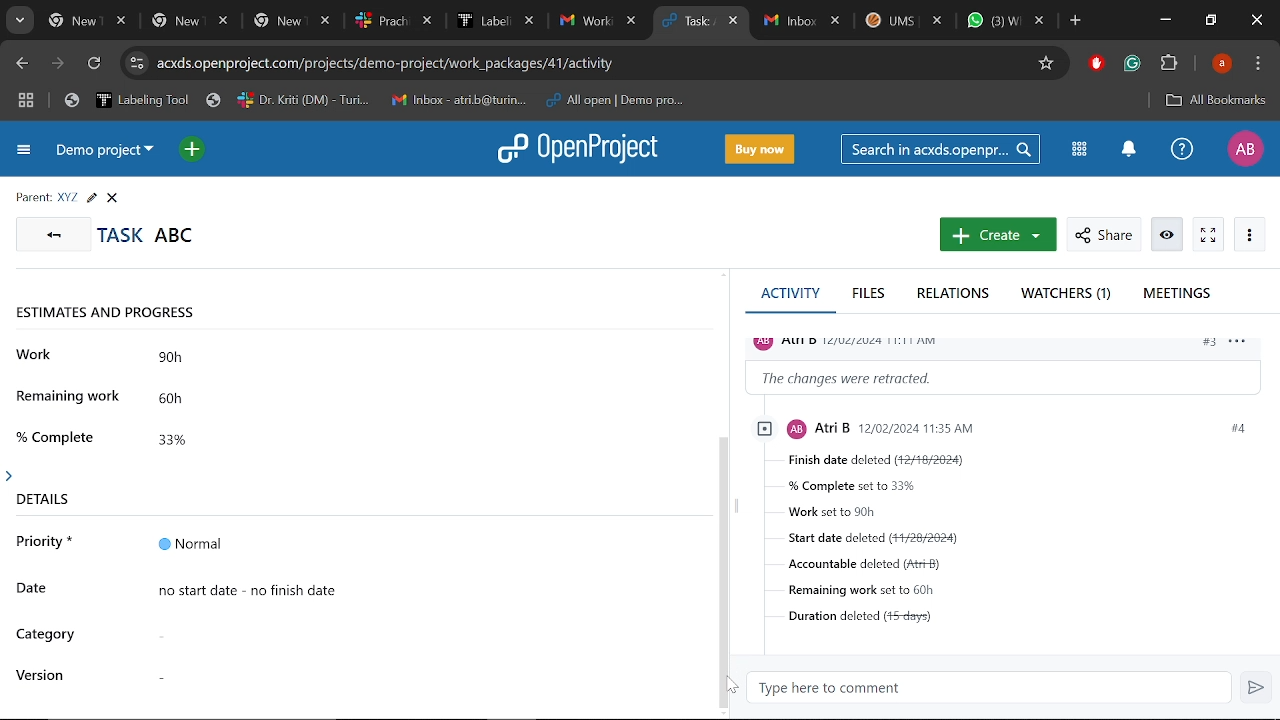 Image resolution: width=1280 pixels, height=720 pixels. What do you see at coordinates (723, 687) in the screenshot?
I see `cursor` at bounding box center [723, 687].